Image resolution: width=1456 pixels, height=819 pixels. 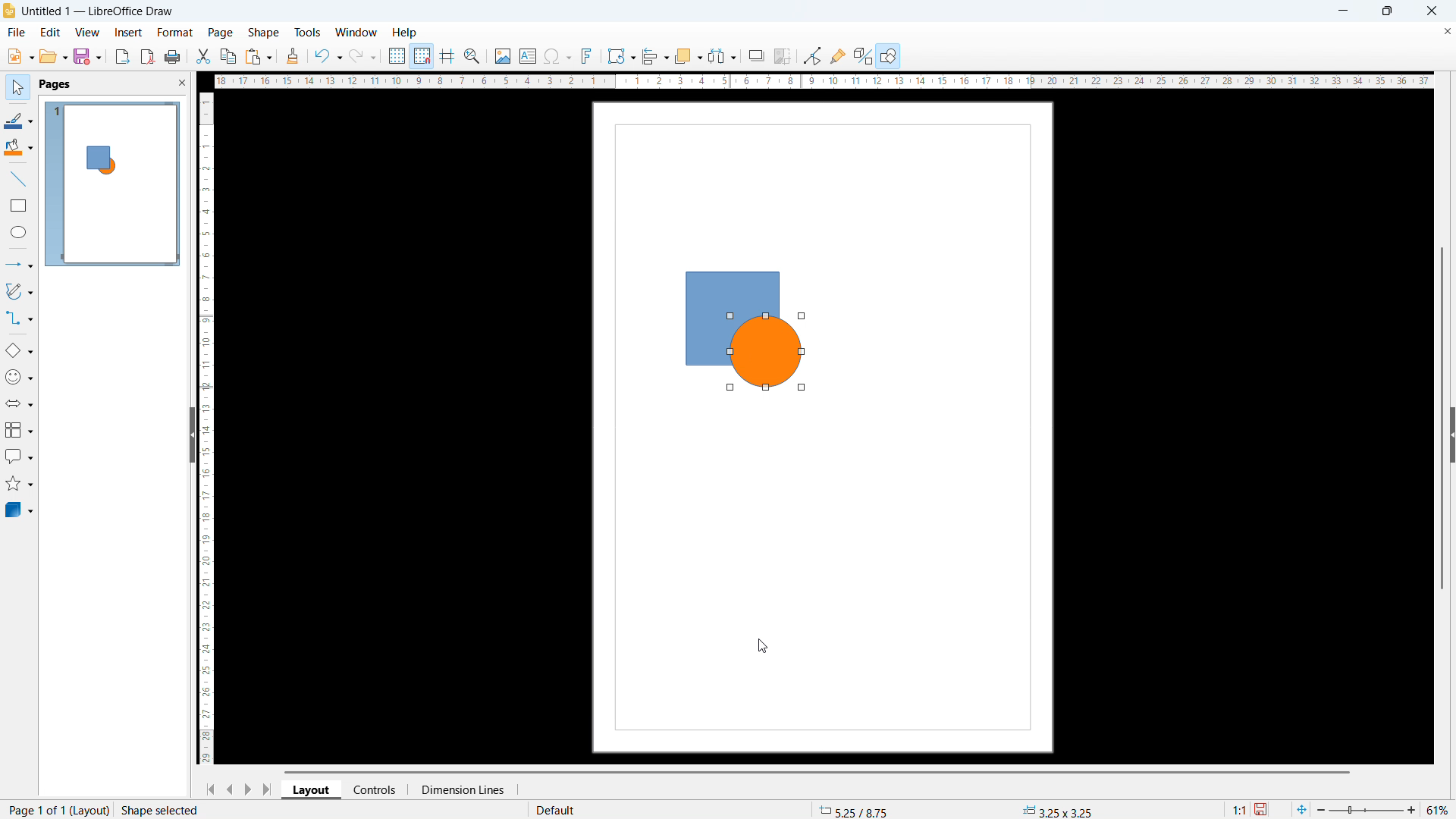 What do you see at coordinates (148, 57) in the screenshot?
I see `export as pdf` at bounding box center [148, 57].